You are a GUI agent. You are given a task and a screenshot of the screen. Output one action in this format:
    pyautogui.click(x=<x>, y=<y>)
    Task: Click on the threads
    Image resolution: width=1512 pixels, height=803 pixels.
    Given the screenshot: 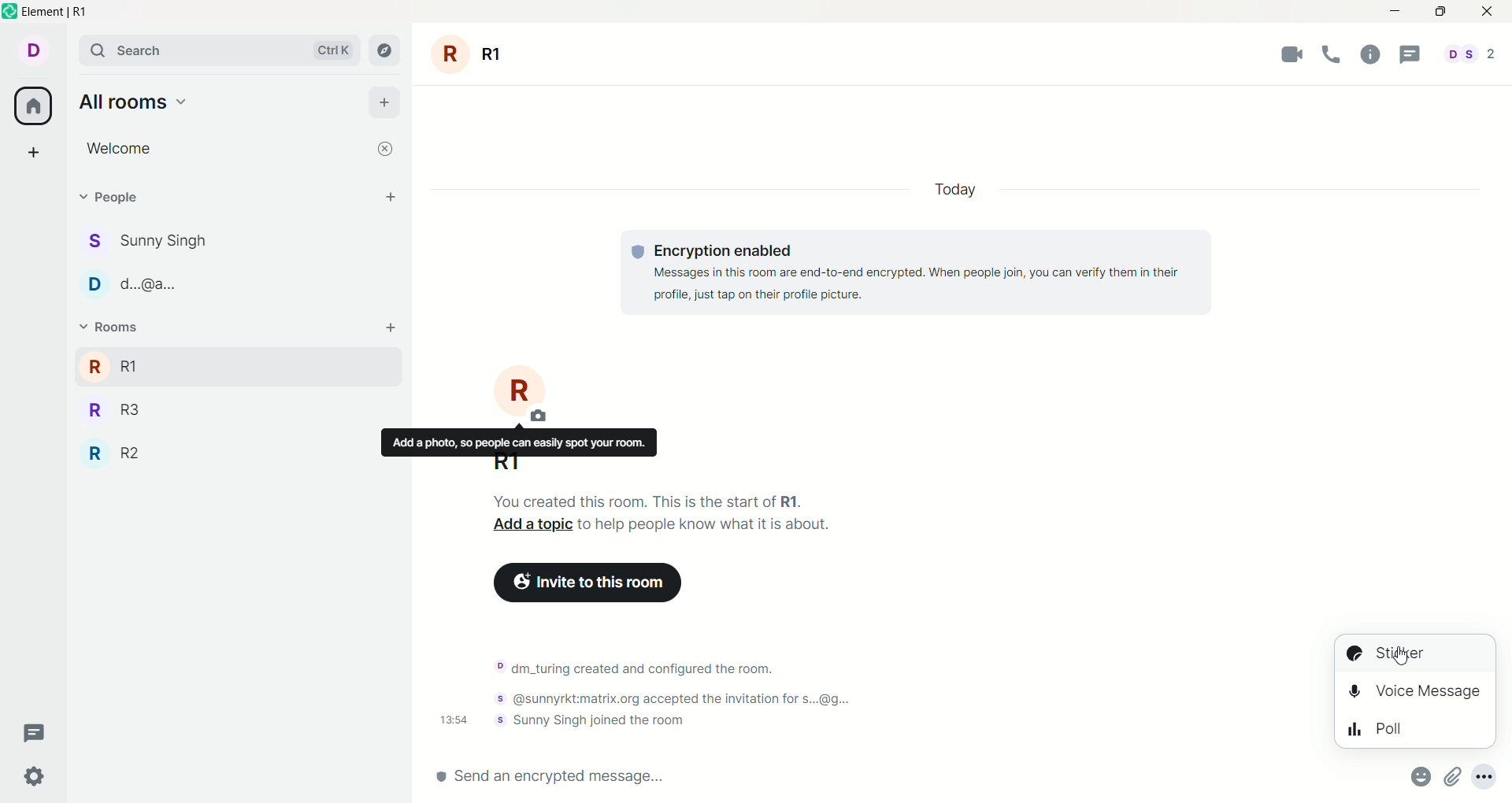 What is the action you would take?
    pyautogui.click(x=1410, y=54)
    